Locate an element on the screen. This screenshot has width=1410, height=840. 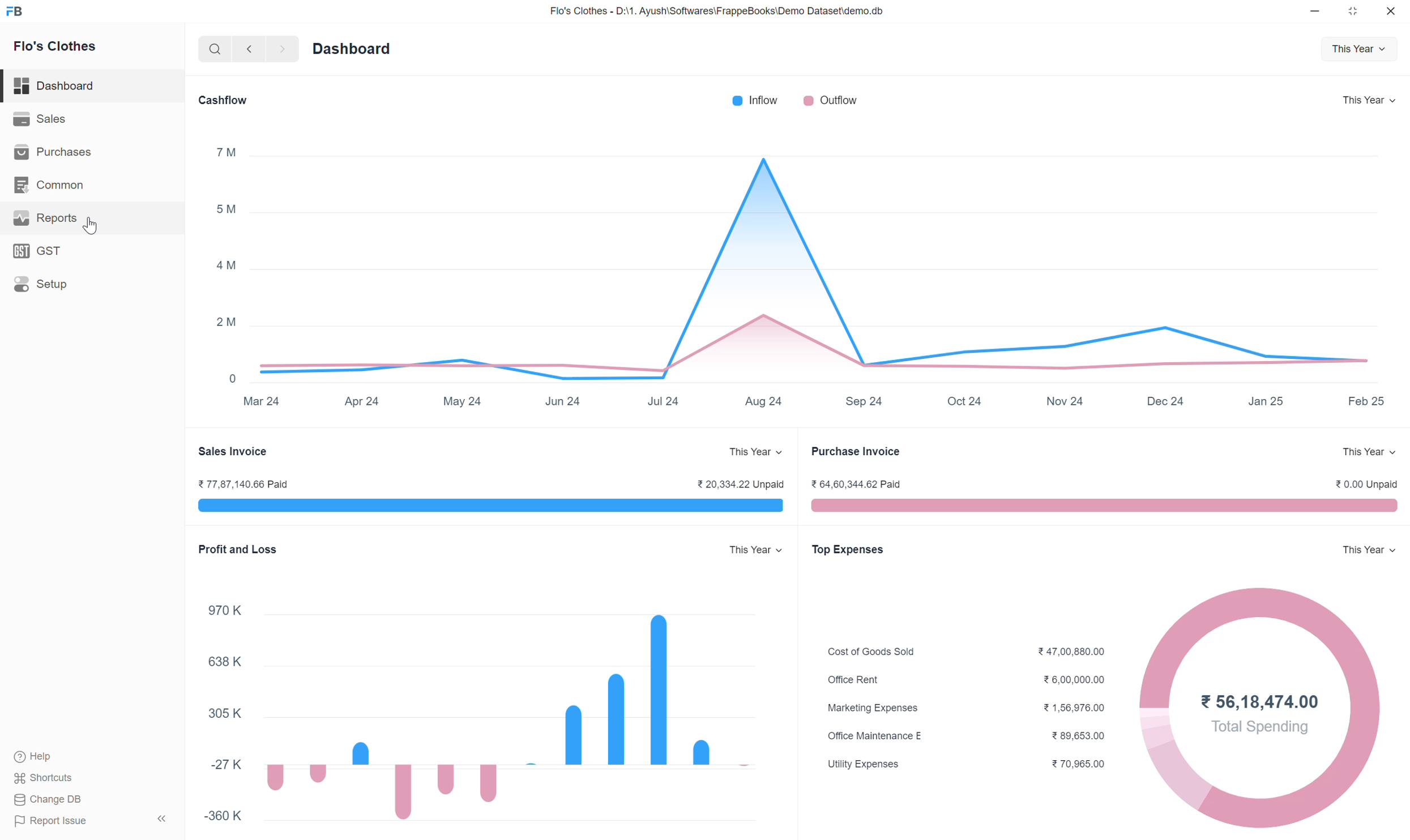
oct 24 is located at coordinates (963, 402).